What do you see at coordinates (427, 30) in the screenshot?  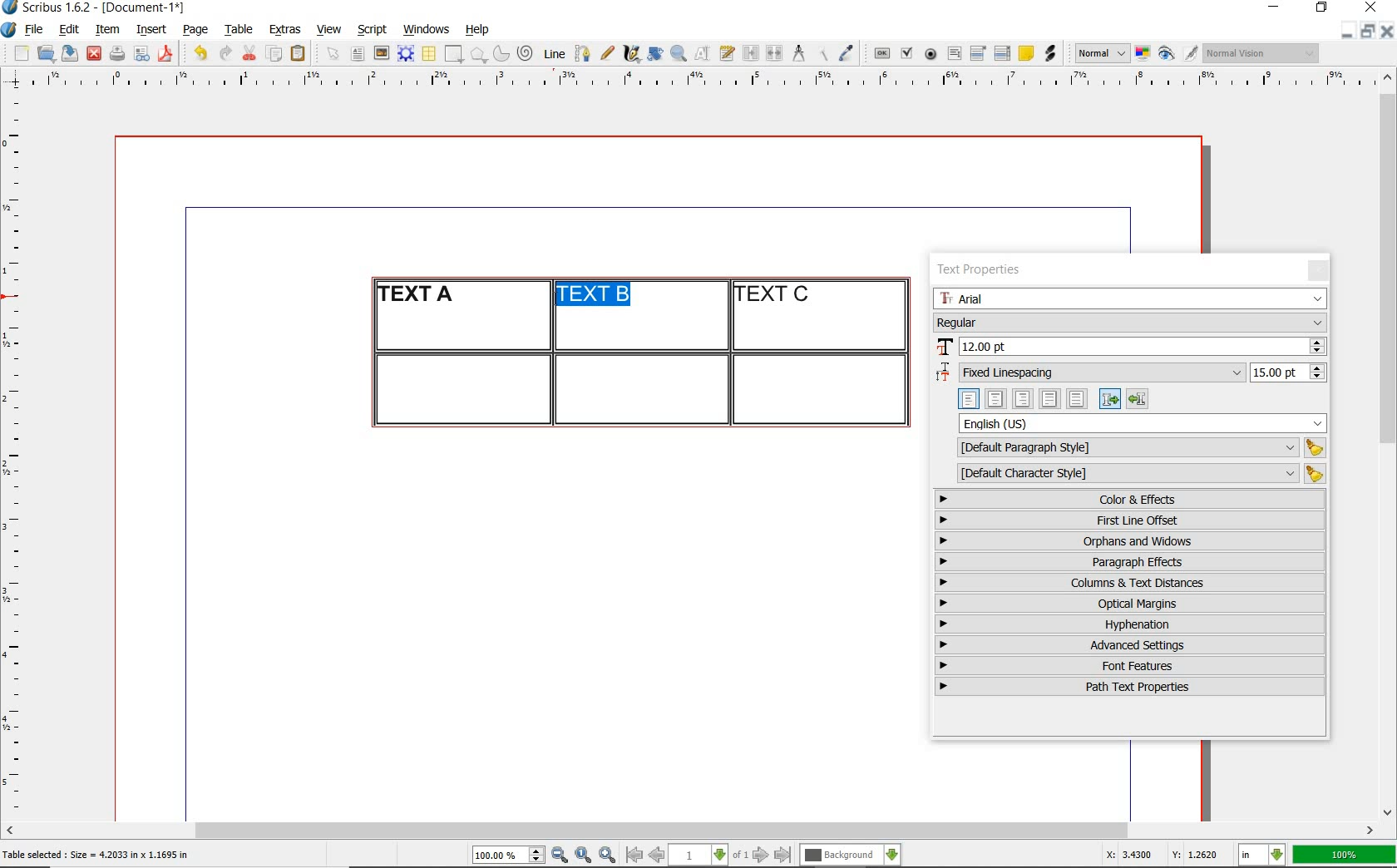 I see `windows` at bounding box center [427, 30].